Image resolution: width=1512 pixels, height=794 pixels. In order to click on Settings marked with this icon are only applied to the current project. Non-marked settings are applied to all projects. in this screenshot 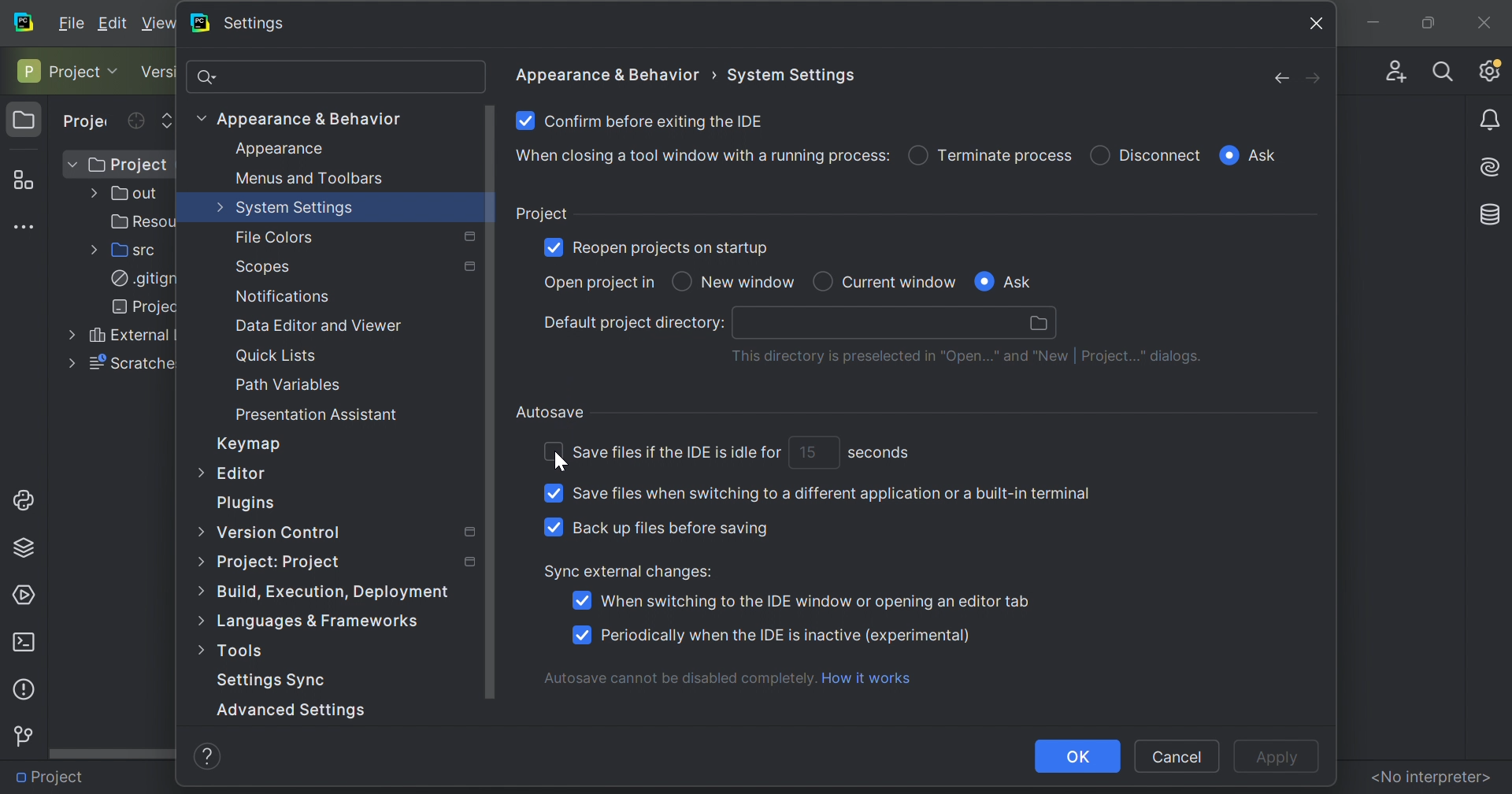, I will do `click(466, 560)`.